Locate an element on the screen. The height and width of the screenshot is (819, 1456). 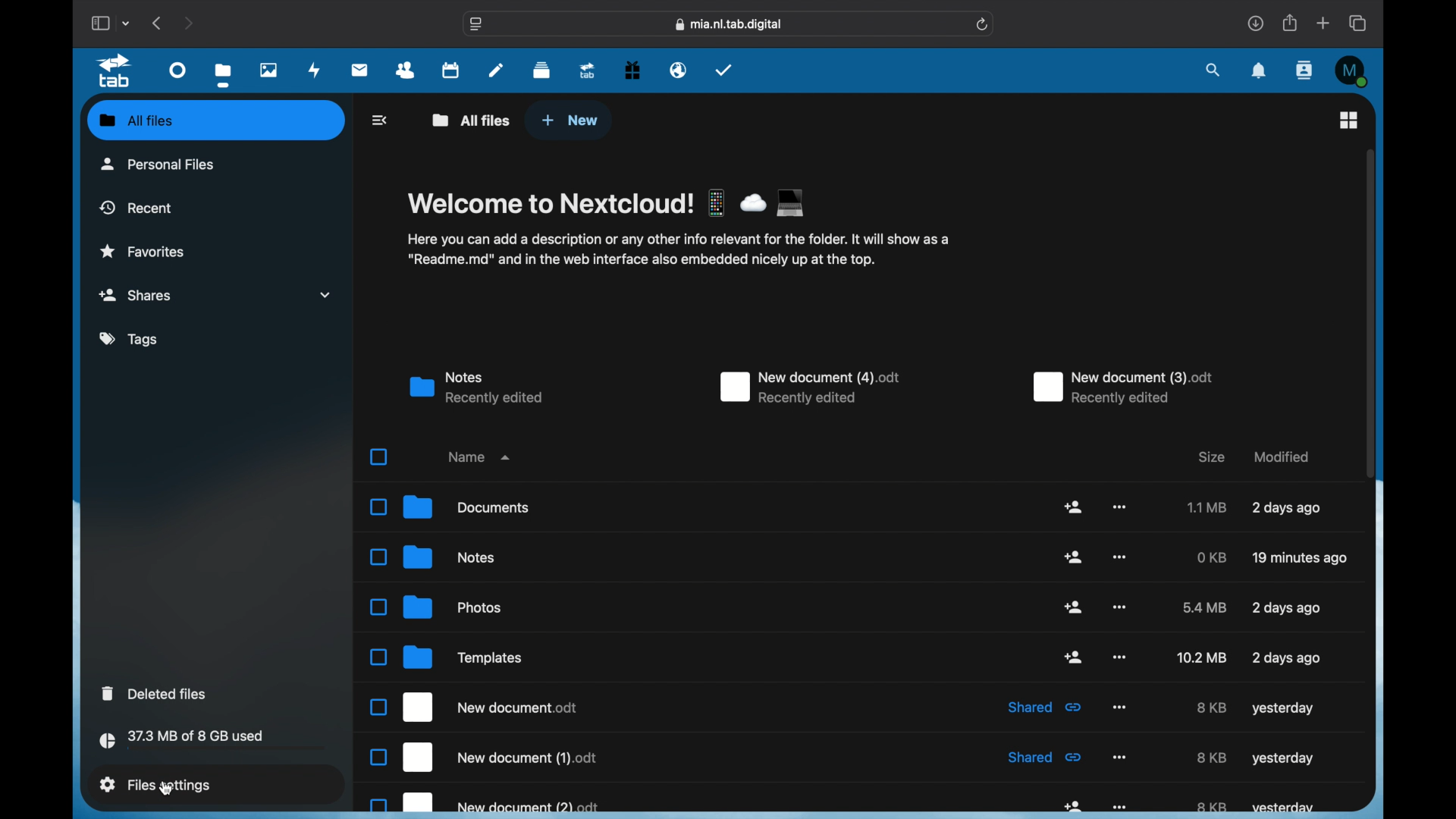
templates is located at coordinates (446, 657).